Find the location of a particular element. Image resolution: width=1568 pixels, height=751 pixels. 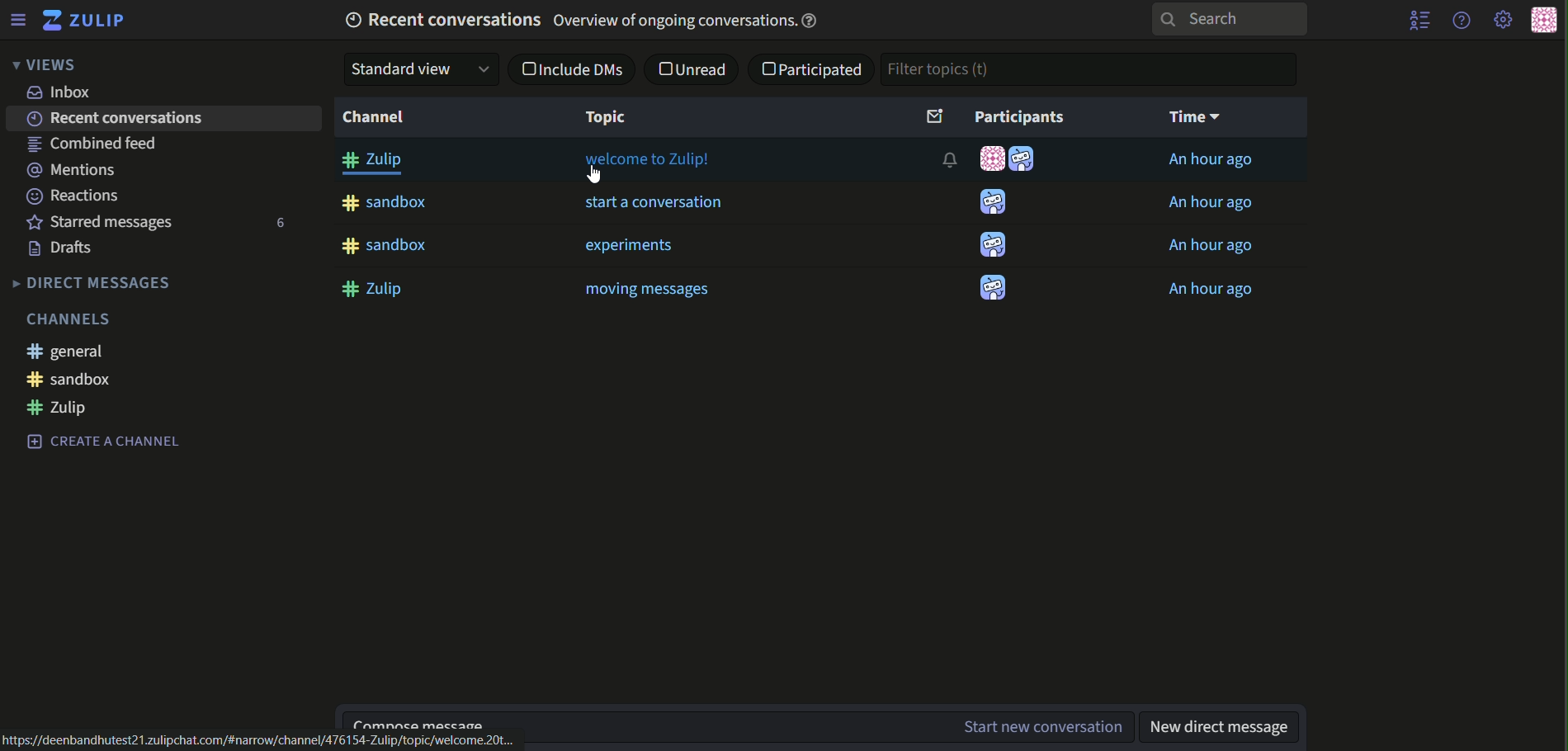

text is located at coordinates (67, 249).